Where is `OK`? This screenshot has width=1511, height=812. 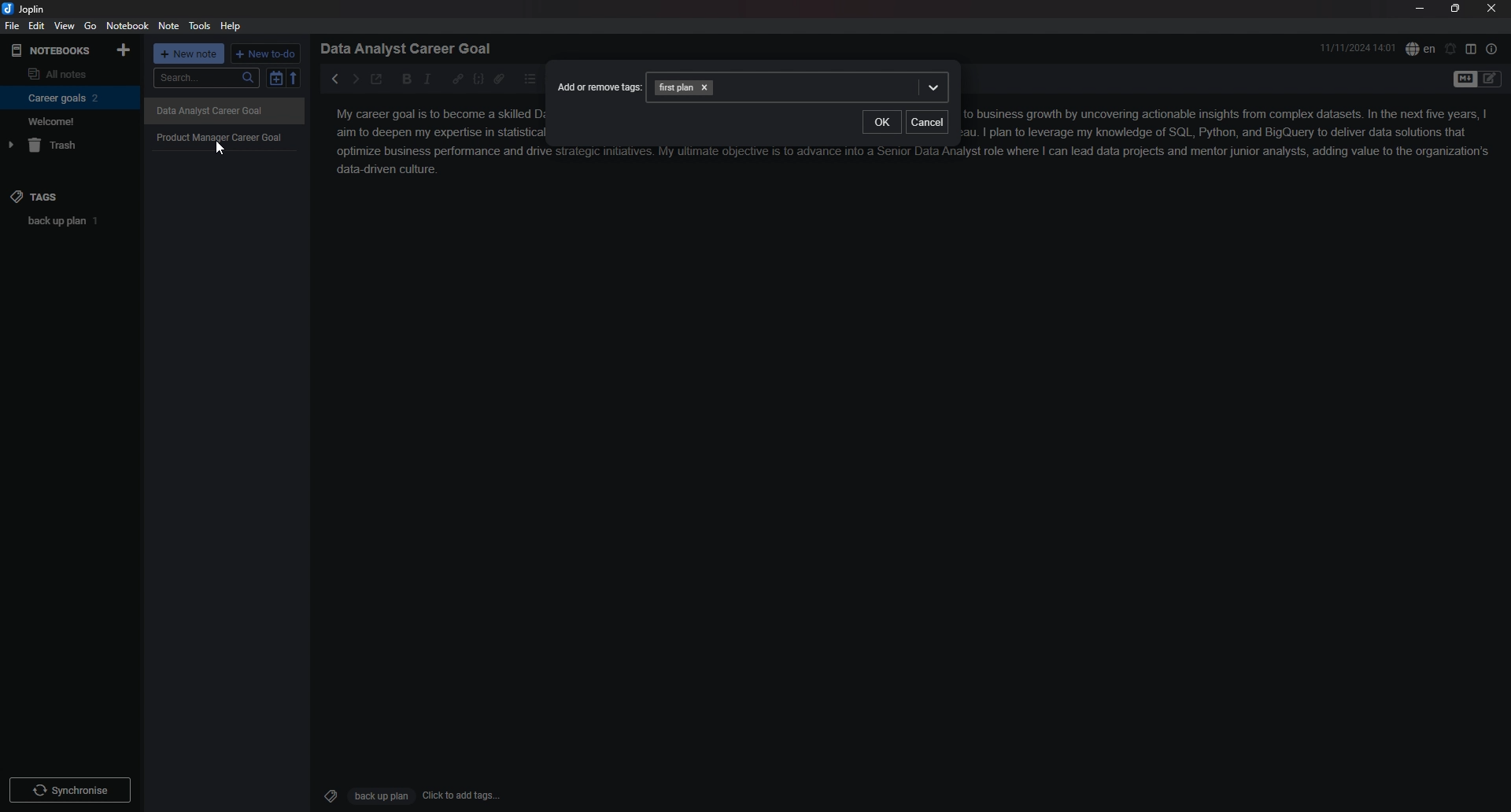
OK is located at coordinates (881, 123).